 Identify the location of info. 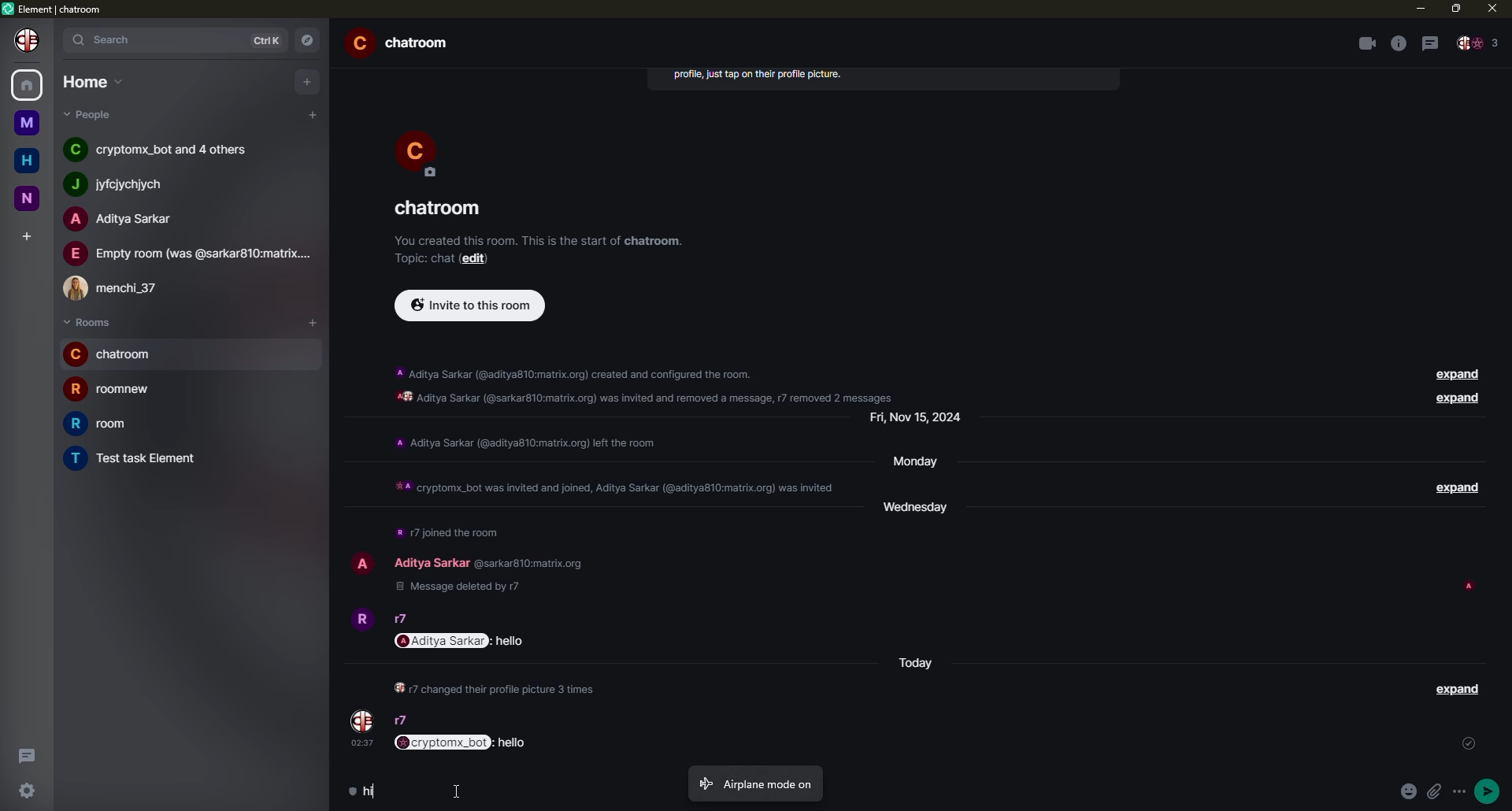
(650, 383).